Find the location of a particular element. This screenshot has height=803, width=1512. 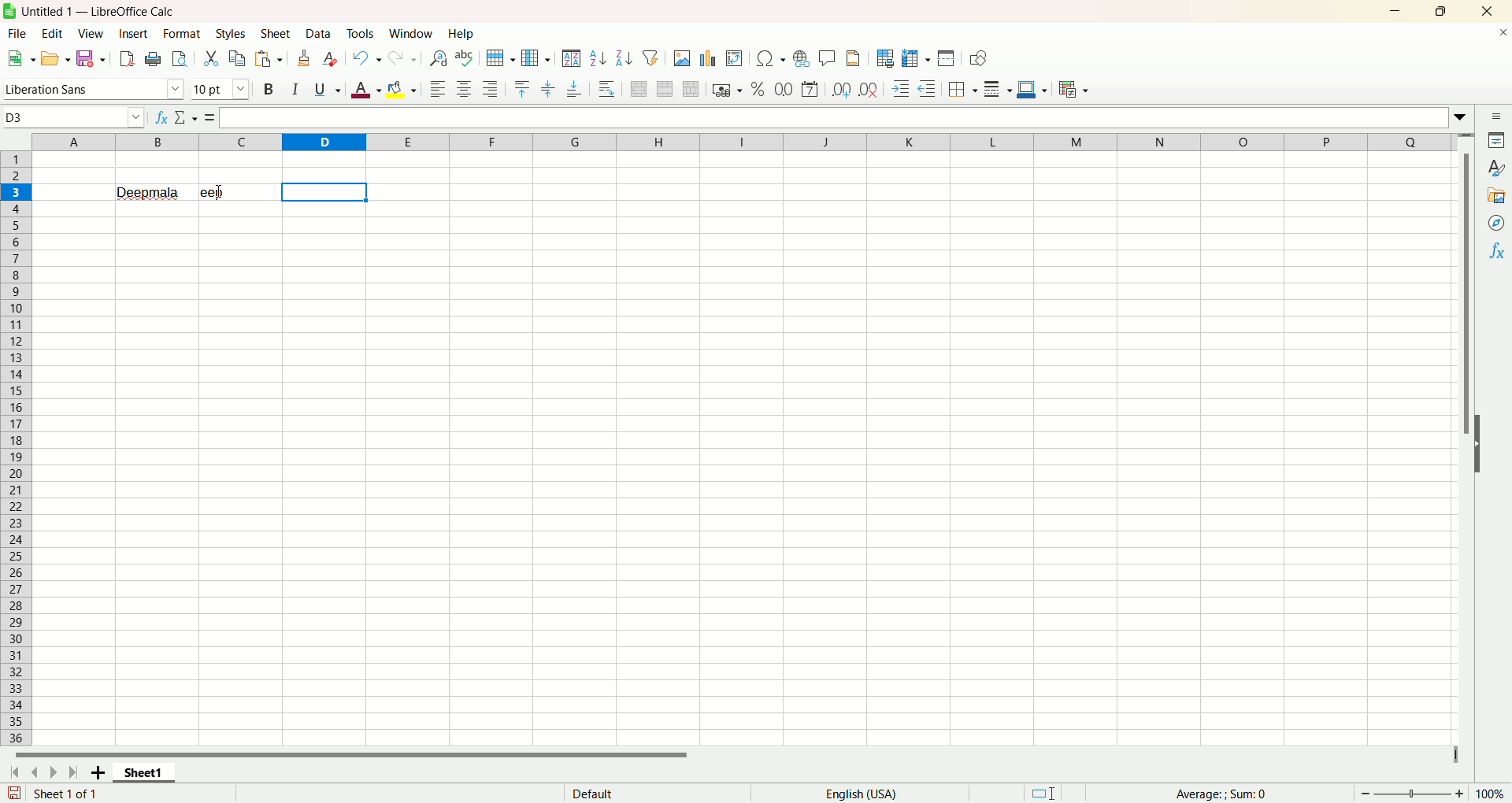

Gallery is located at coordinates (1495, 196).